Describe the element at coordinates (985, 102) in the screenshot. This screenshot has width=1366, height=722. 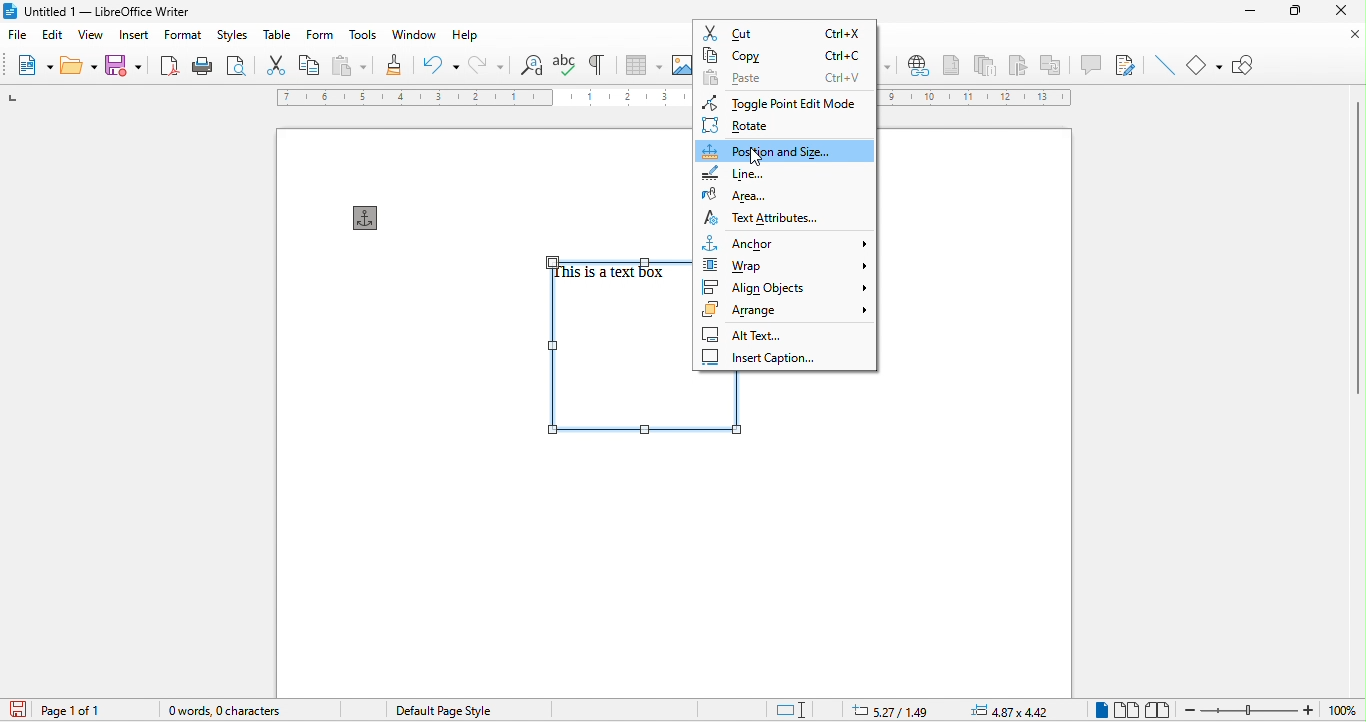
I see `ruler` at that location.